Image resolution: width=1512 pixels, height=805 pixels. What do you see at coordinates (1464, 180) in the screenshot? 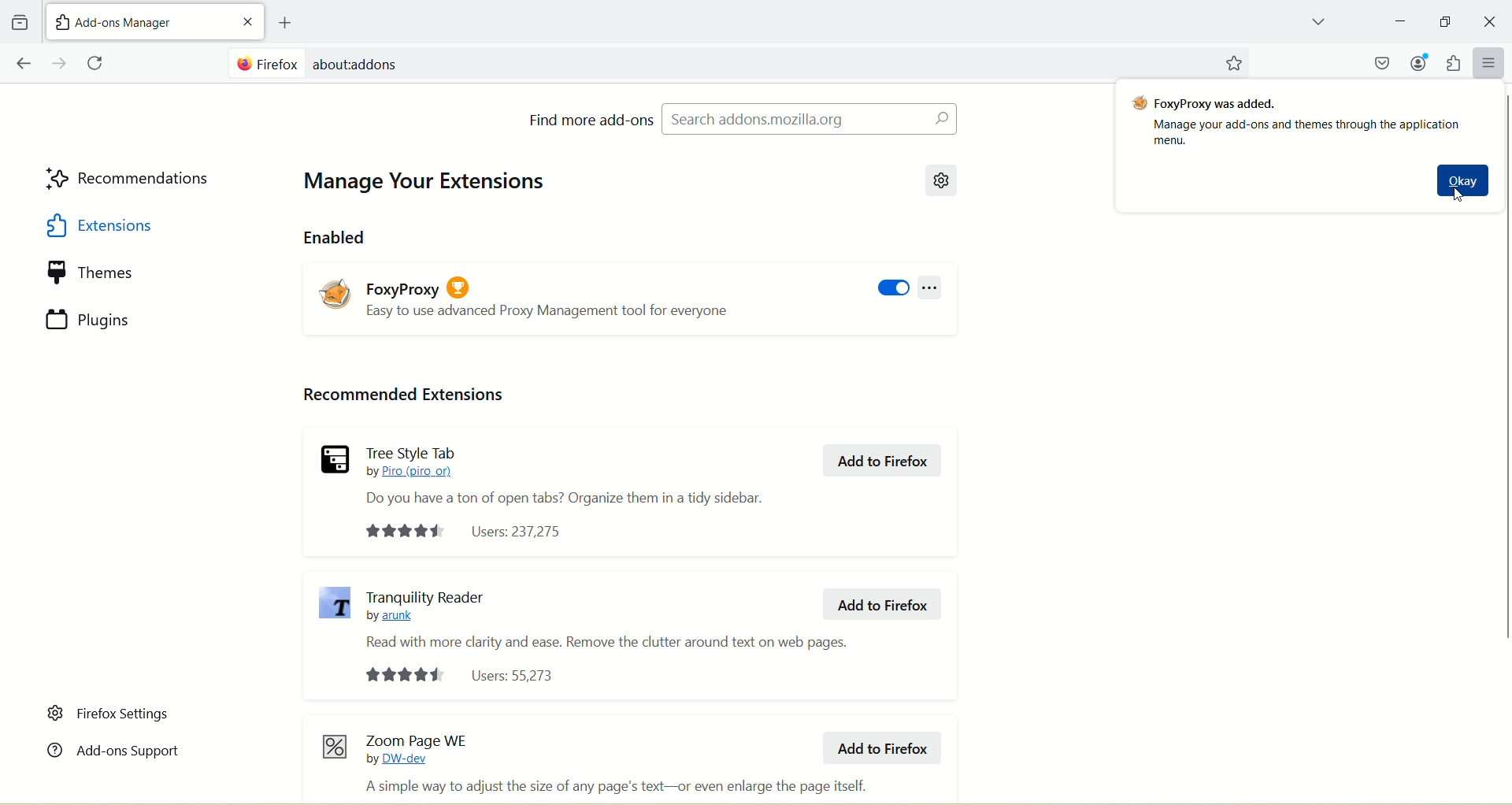
I see `Okay` at bounding box center [1464, 180].